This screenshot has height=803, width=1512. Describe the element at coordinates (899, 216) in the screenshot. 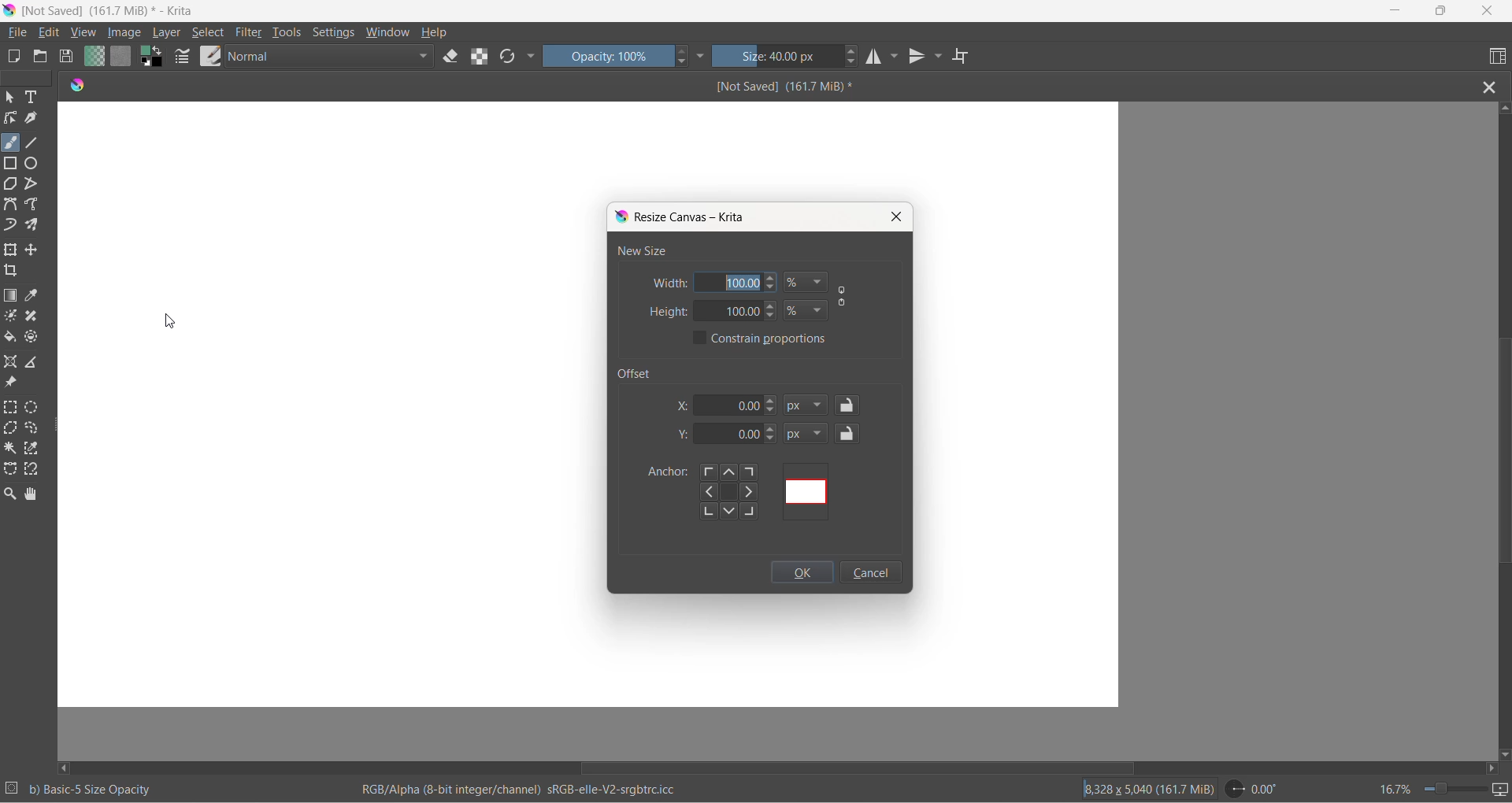

I see `close` at that location.